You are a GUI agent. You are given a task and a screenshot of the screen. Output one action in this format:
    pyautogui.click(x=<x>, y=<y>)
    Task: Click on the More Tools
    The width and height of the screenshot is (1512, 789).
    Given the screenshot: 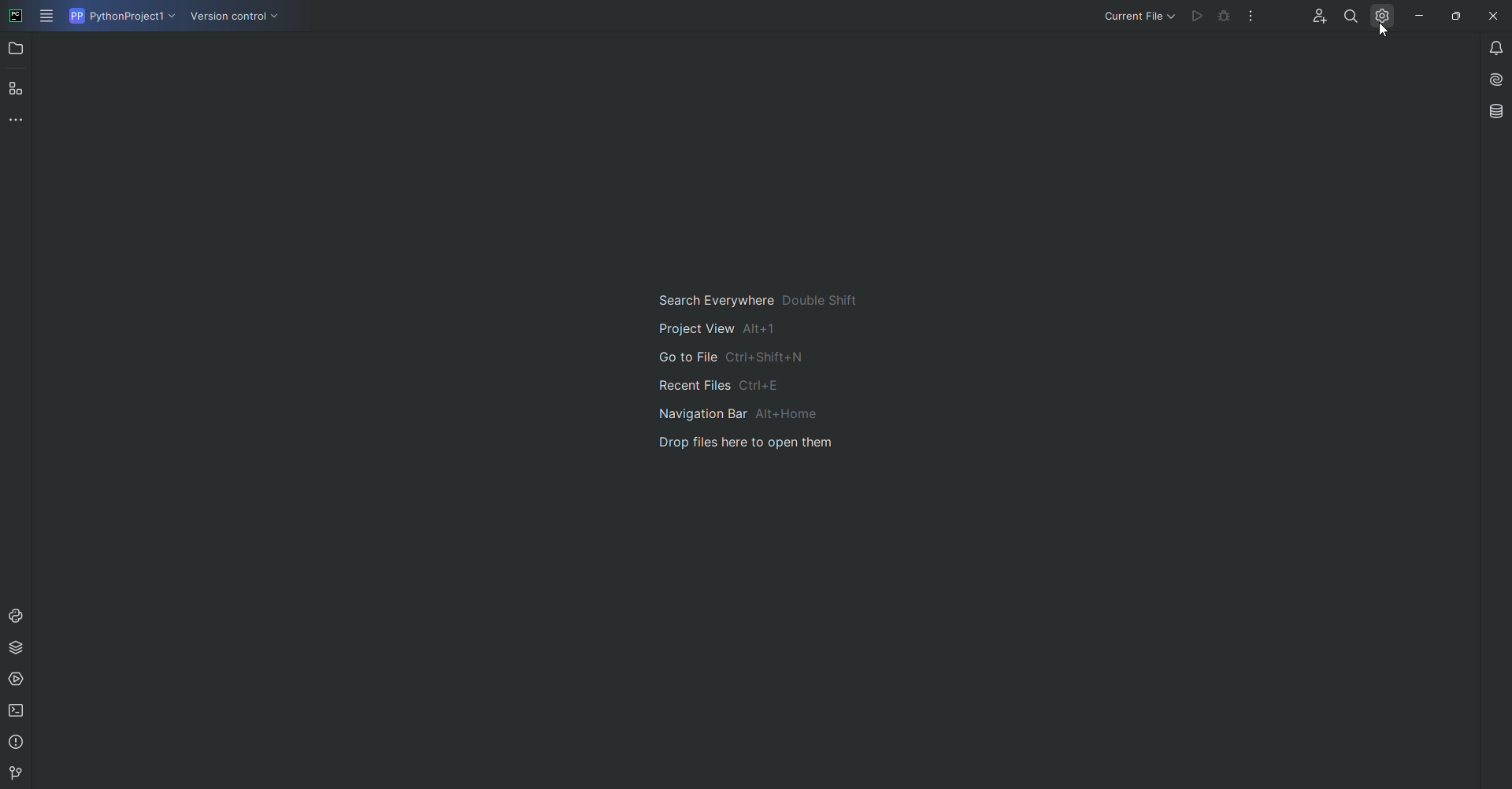 What is the action you would take?
    pyautogui.click(x=20, y=119)
    